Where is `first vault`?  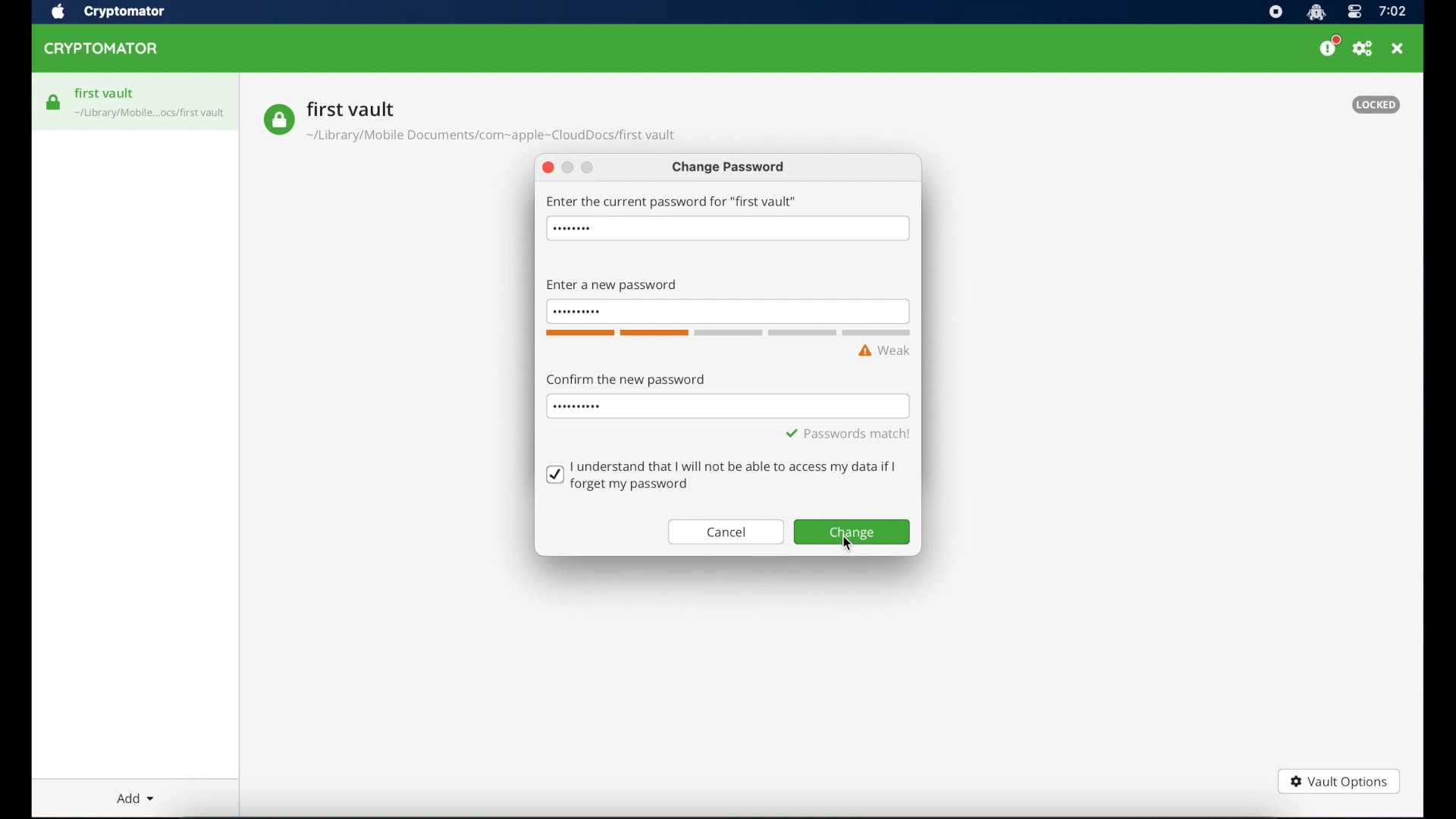 first vault is located at coordinates (105, 93).